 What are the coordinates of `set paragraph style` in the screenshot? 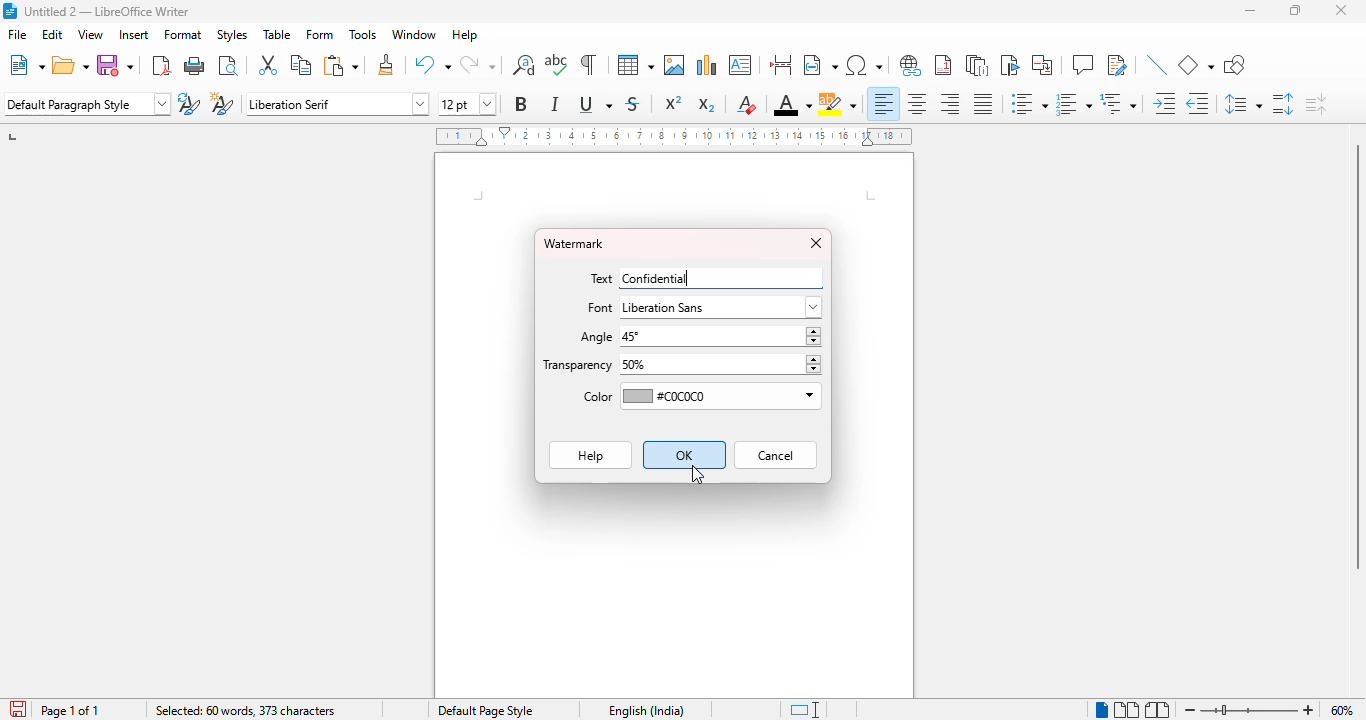 It's located at (87, 104).